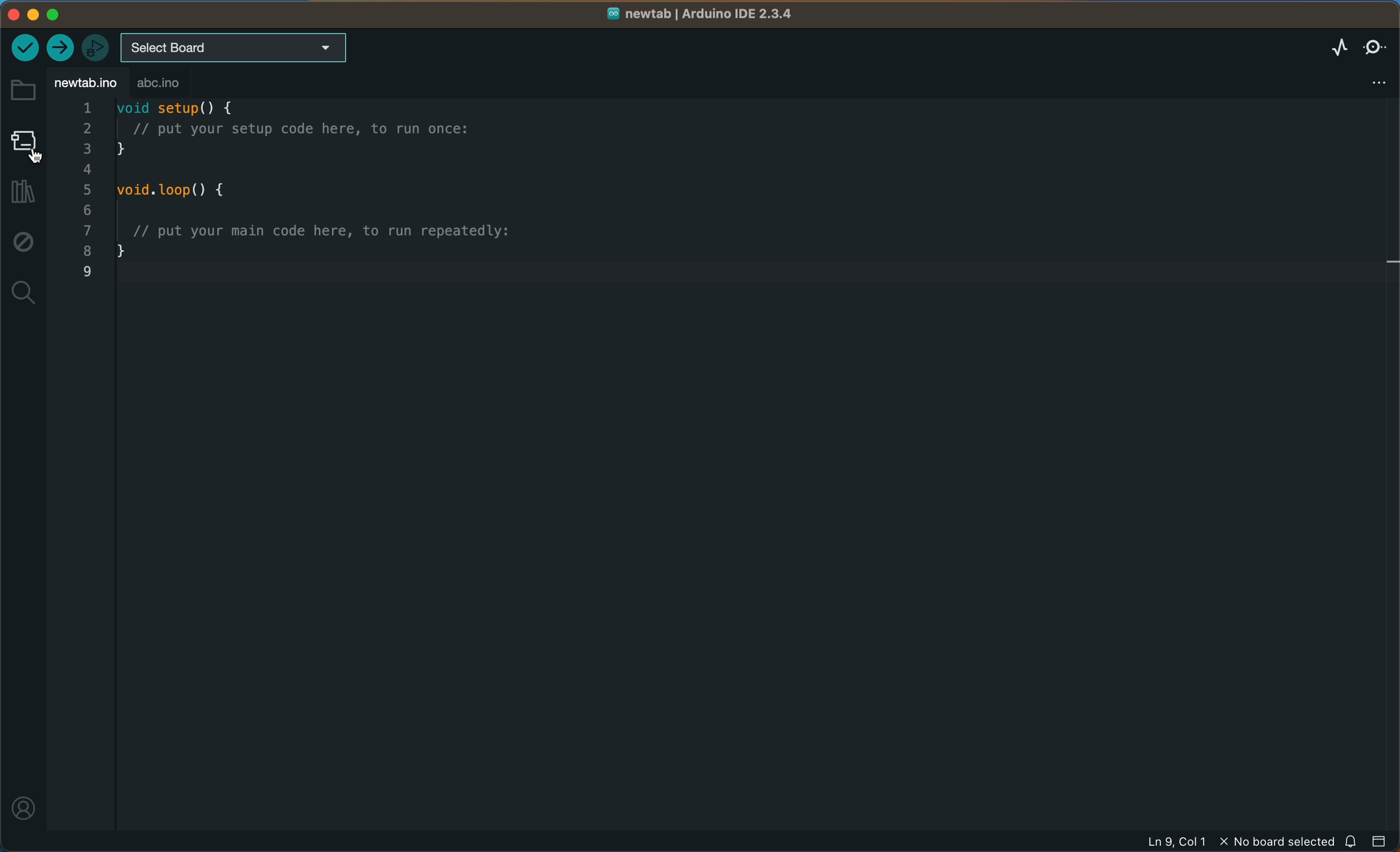 The width and height of the screenshot is (1400, 852). I want to click on board manager, so click(24, 146).